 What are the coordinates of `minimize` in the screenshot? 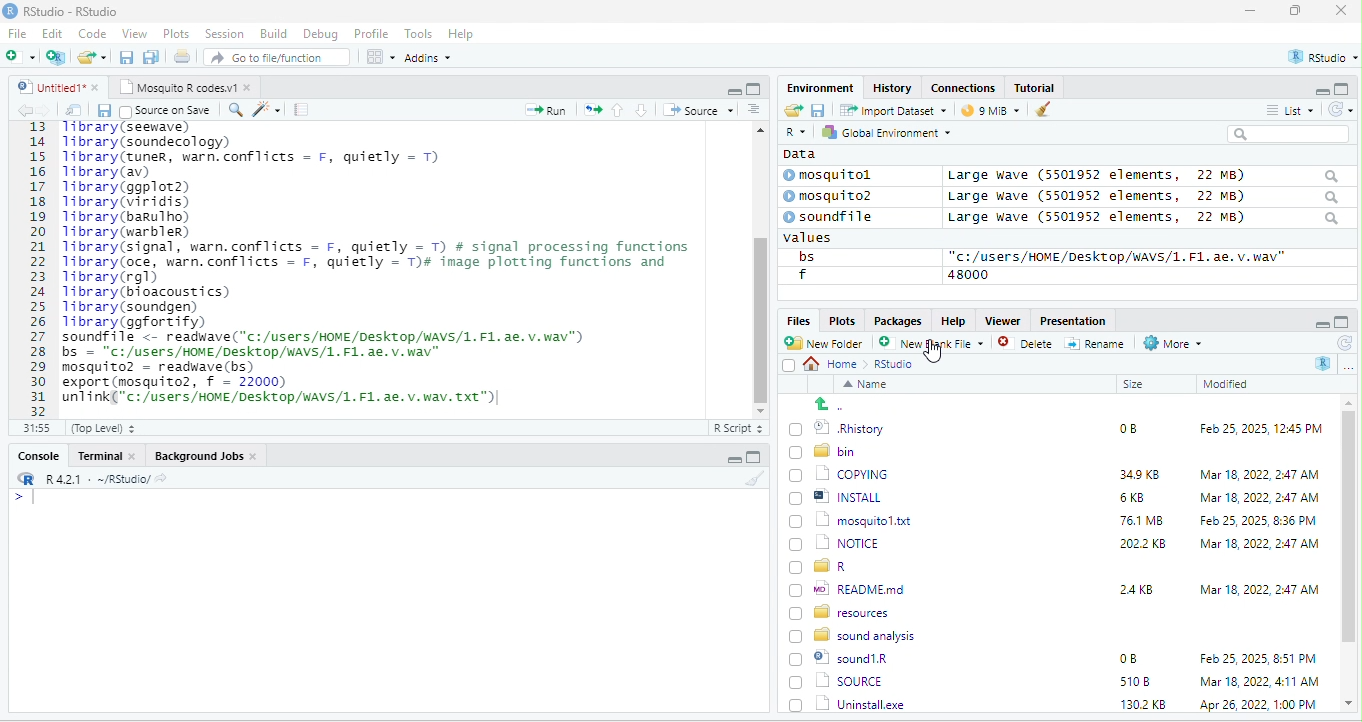 It's located at (1314, 90).